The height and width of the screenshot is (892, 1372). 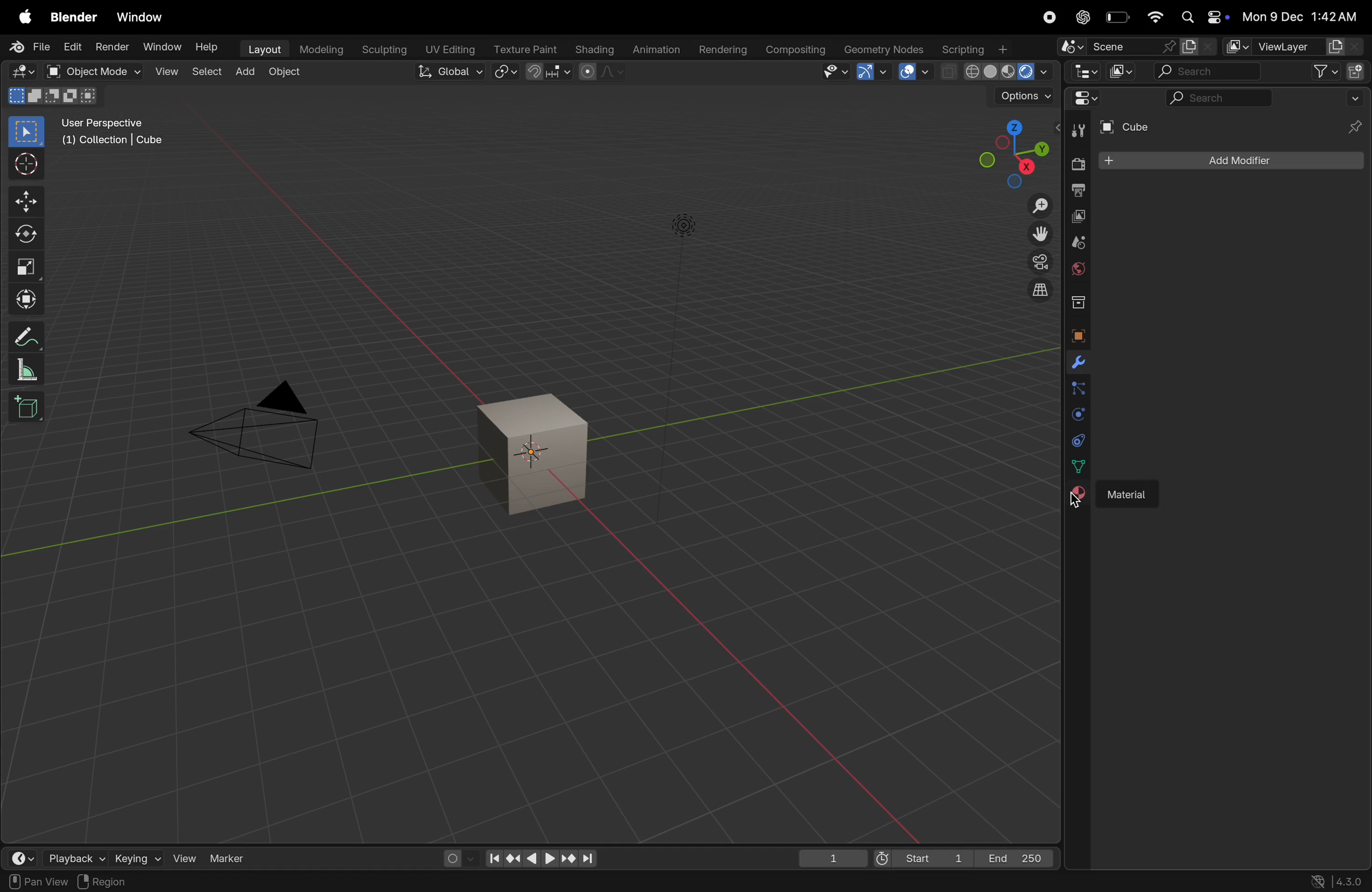 What do you see at coordinates (796, 50) in the screenshot?
I see `composting` at bounding box center [796, 50].